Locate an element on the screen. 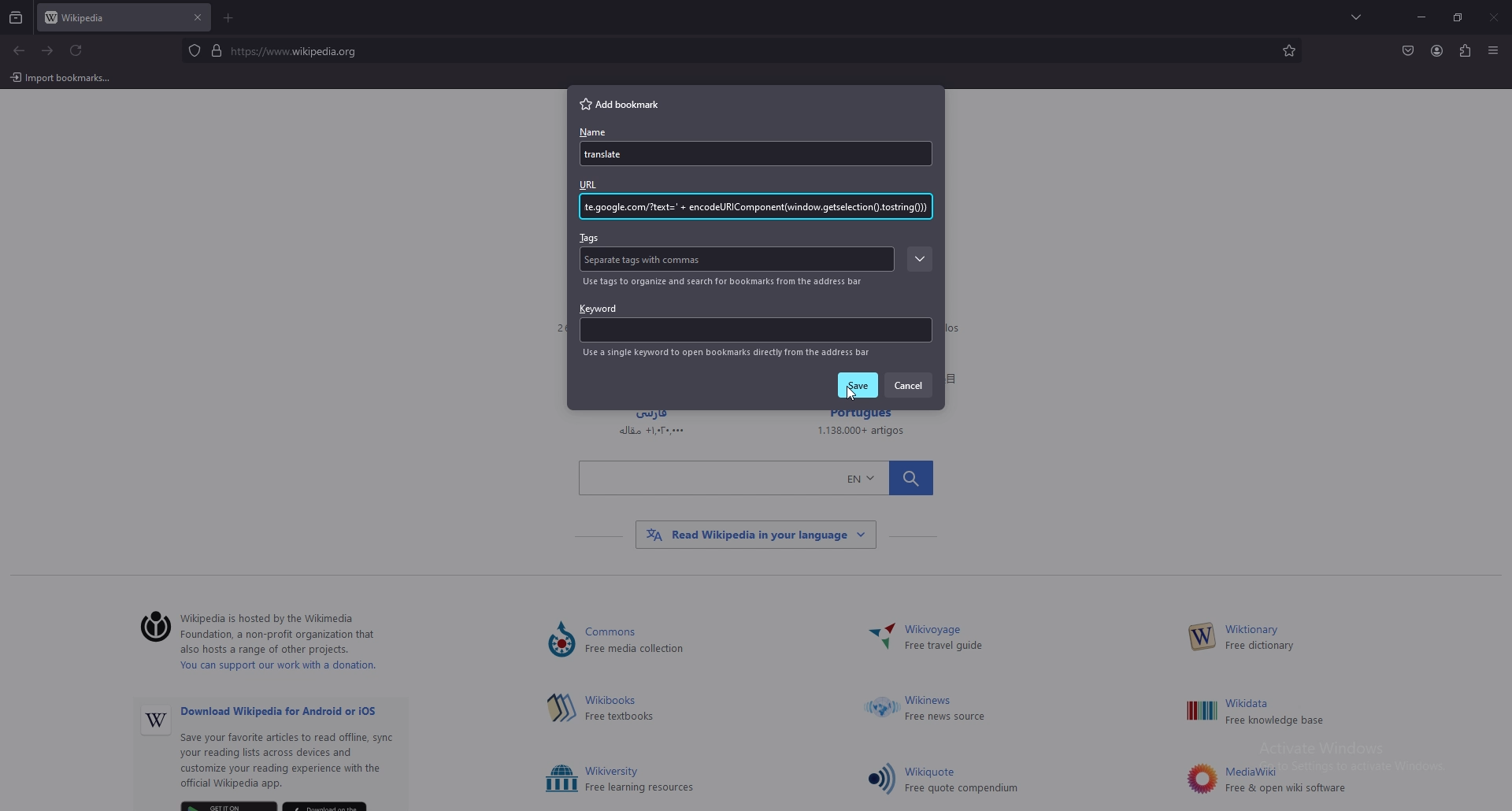   is located at coordinates (1200, 711).